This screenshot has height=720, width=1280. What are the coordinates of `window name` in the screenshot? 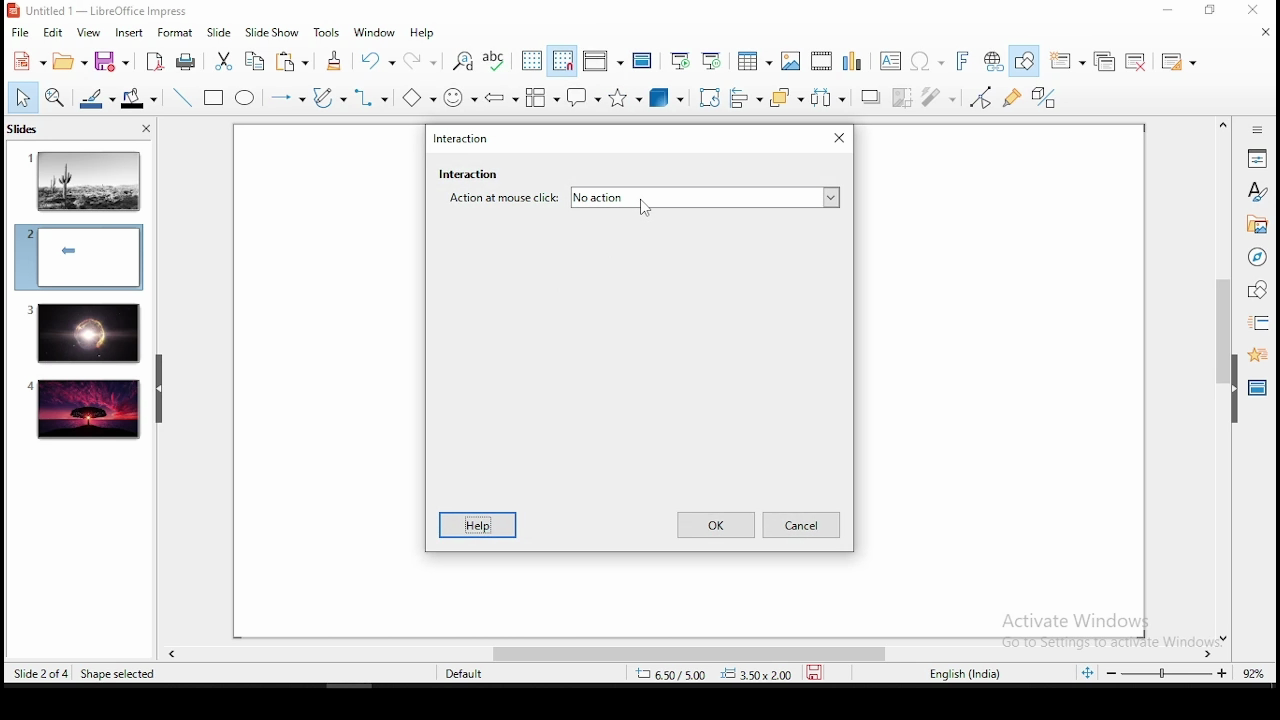 It's located at (100, 10).